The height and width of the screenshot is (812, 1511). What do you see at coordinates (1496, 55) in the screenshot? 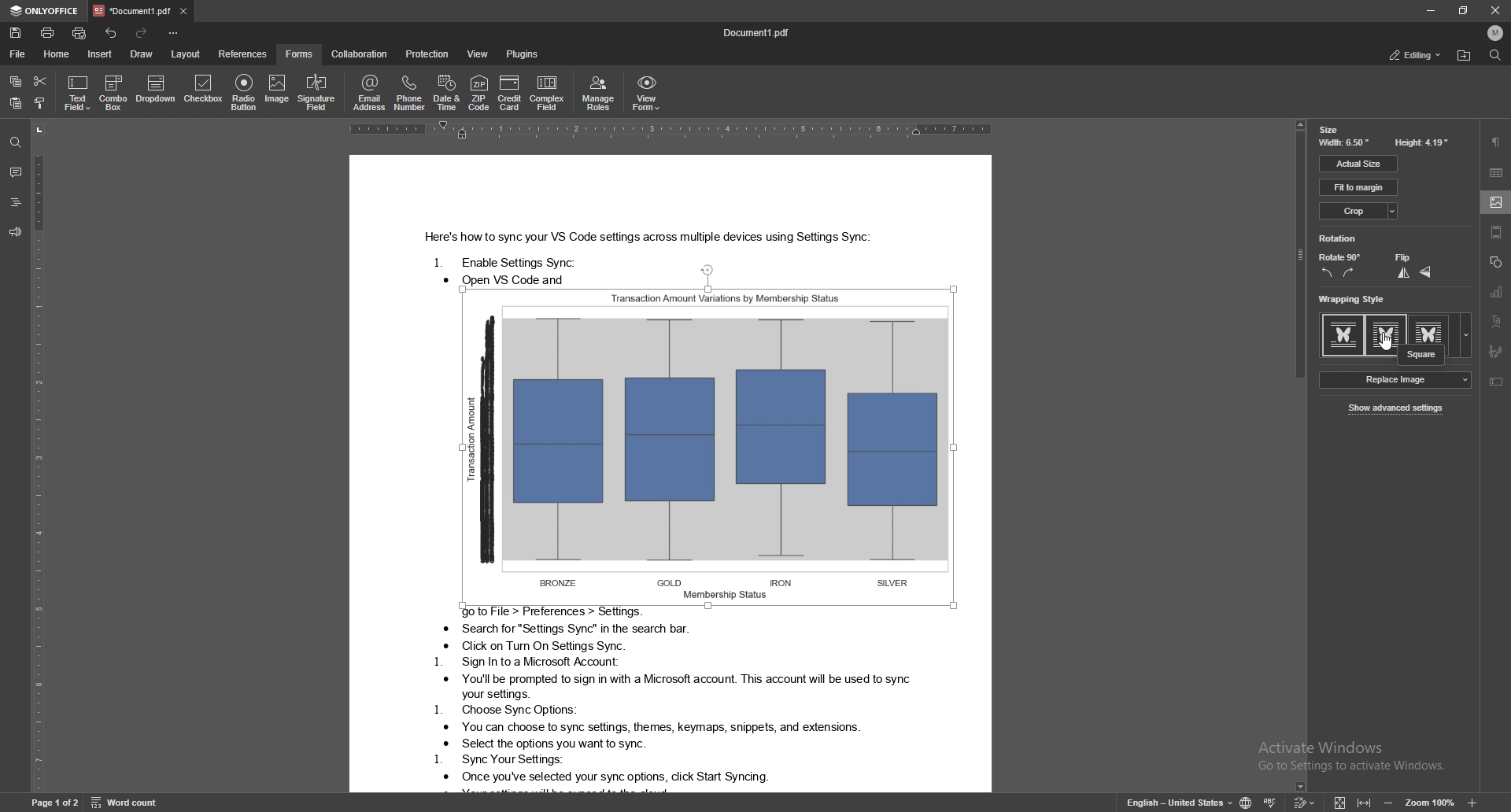
I see `find` at bounding box center [1496, 55].